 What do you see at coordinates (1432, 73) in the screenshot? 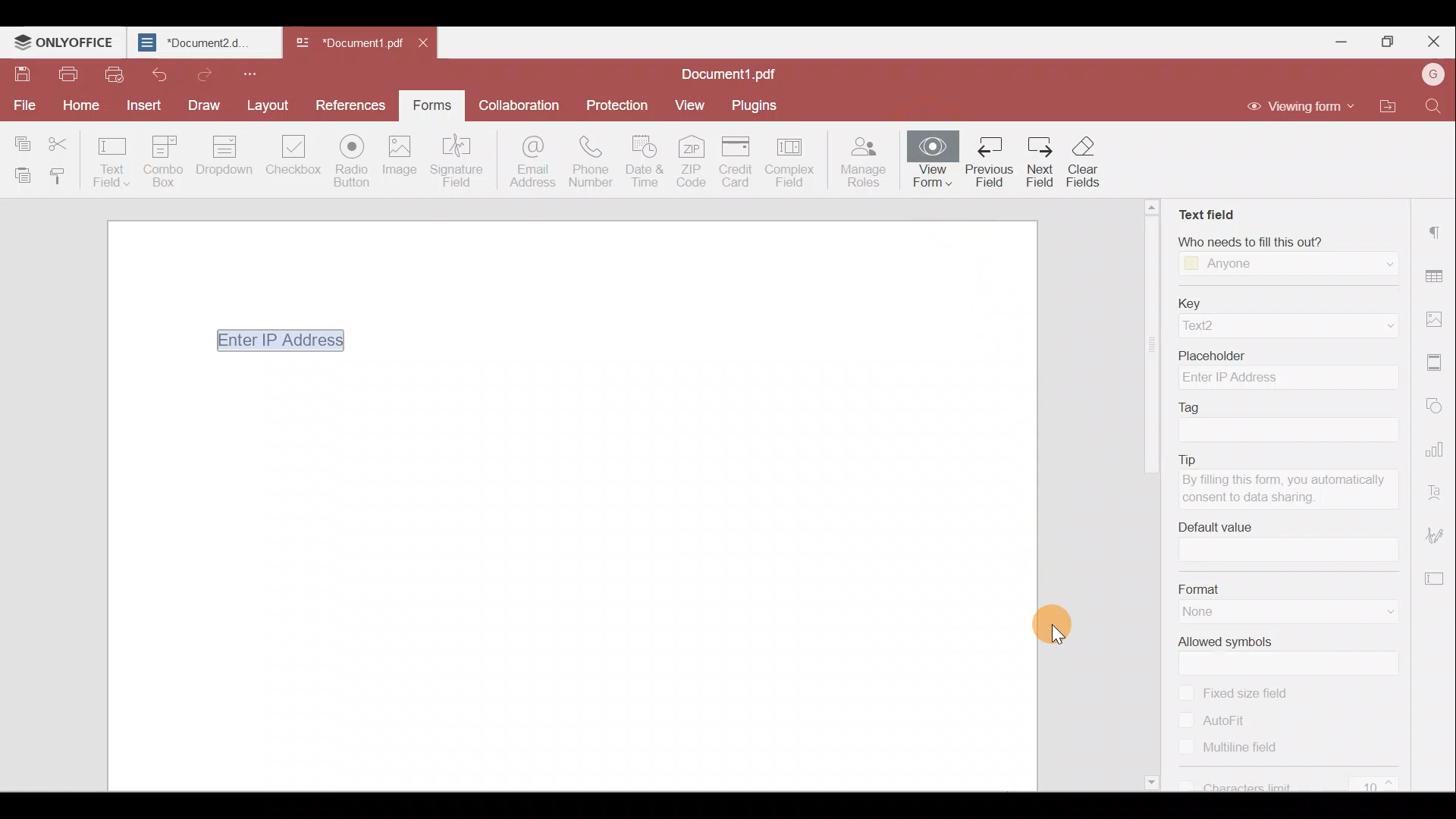
I see `Account name` at bounding box center [1432, 73].